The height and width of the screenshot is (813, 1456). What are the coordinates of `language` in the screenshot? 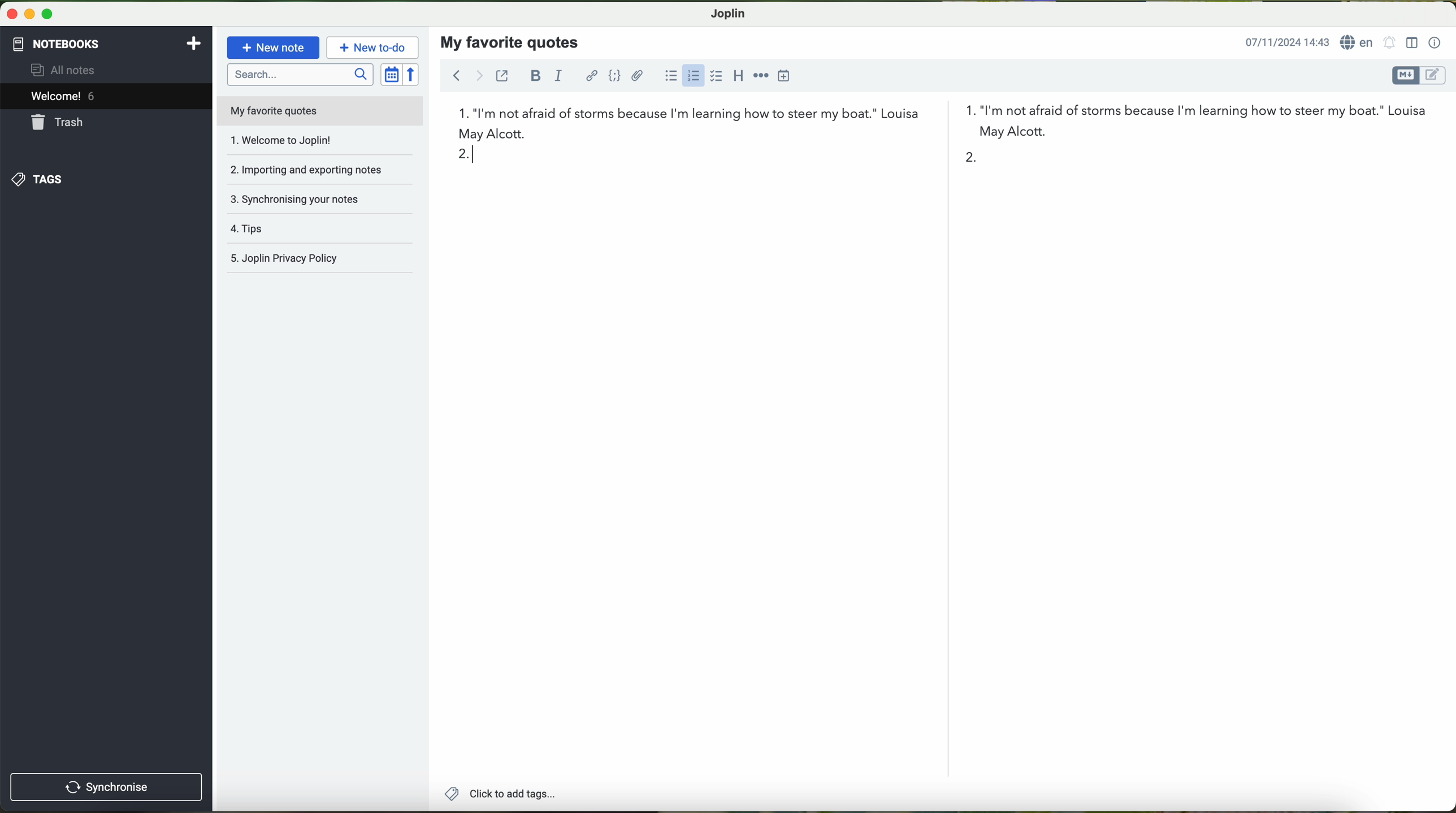 It's located at (1359, 42).